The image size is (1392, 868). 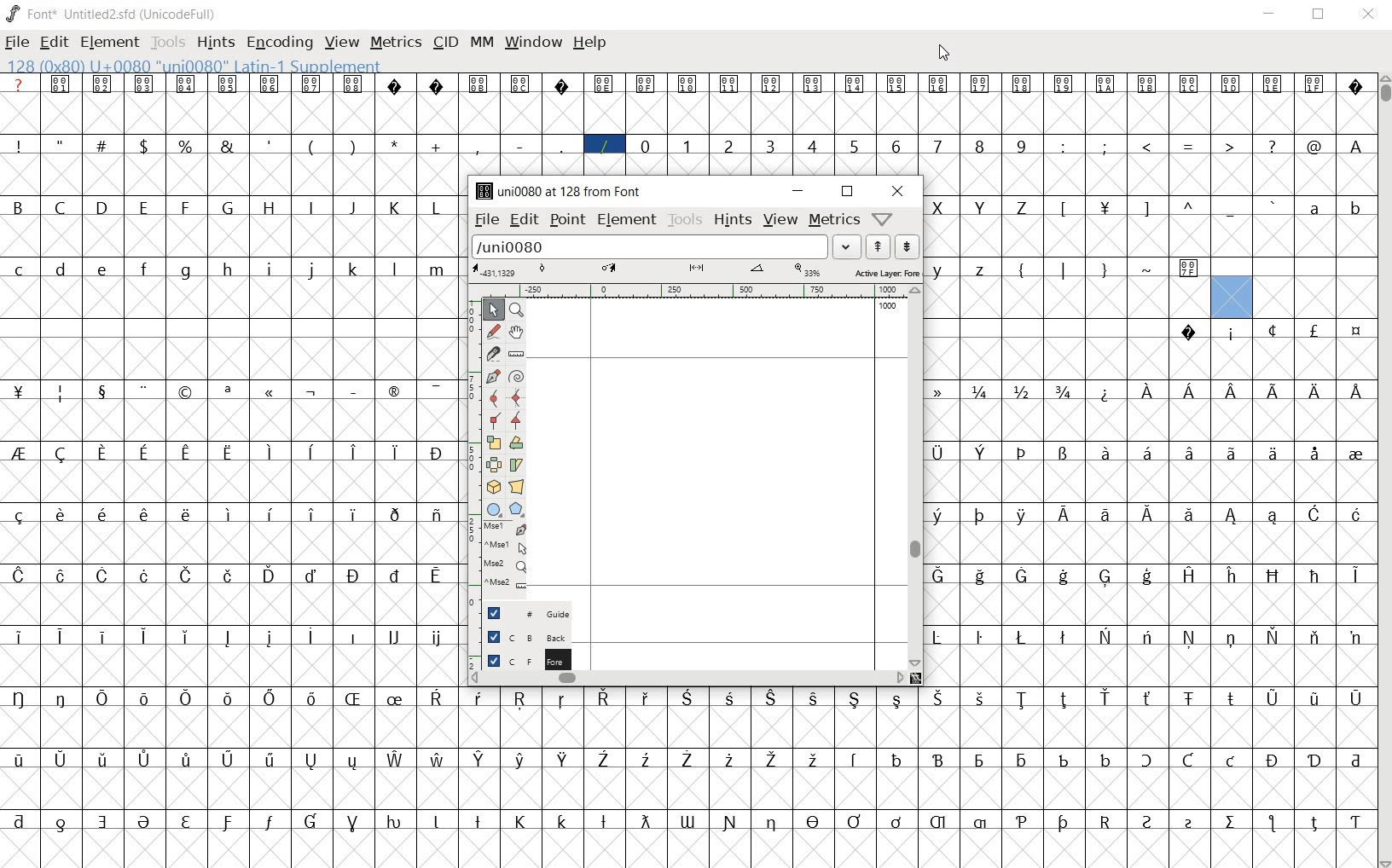 What do you see at coordinates (143, 269) in the screenshot?
I see `glyph` at bounding box center [143, 269].